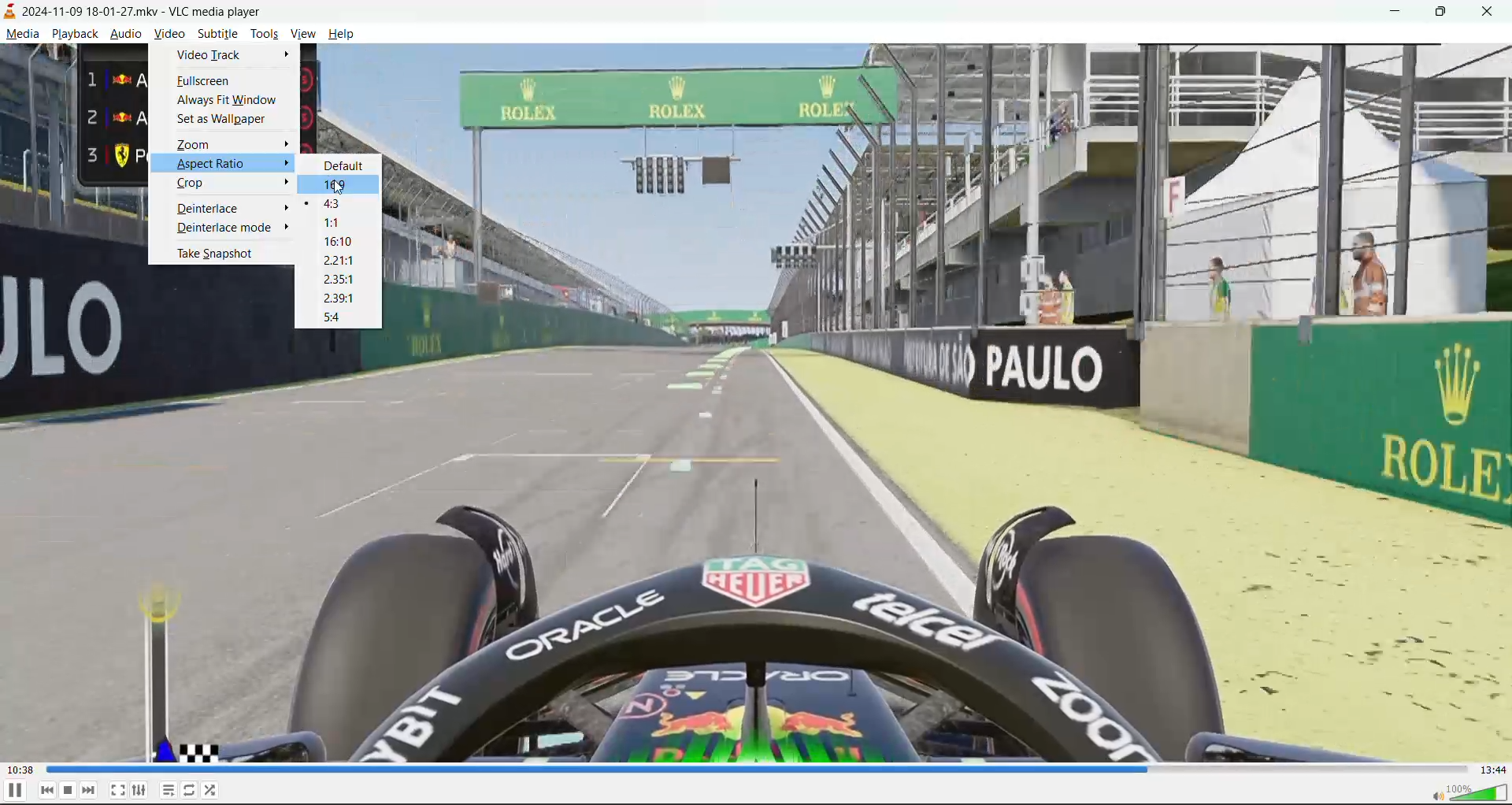 This screenshot has width=1512, height=805. What do you see at coordinates (302, 33) in the screenshot?
I see `view` at bounding box center [302, 33].